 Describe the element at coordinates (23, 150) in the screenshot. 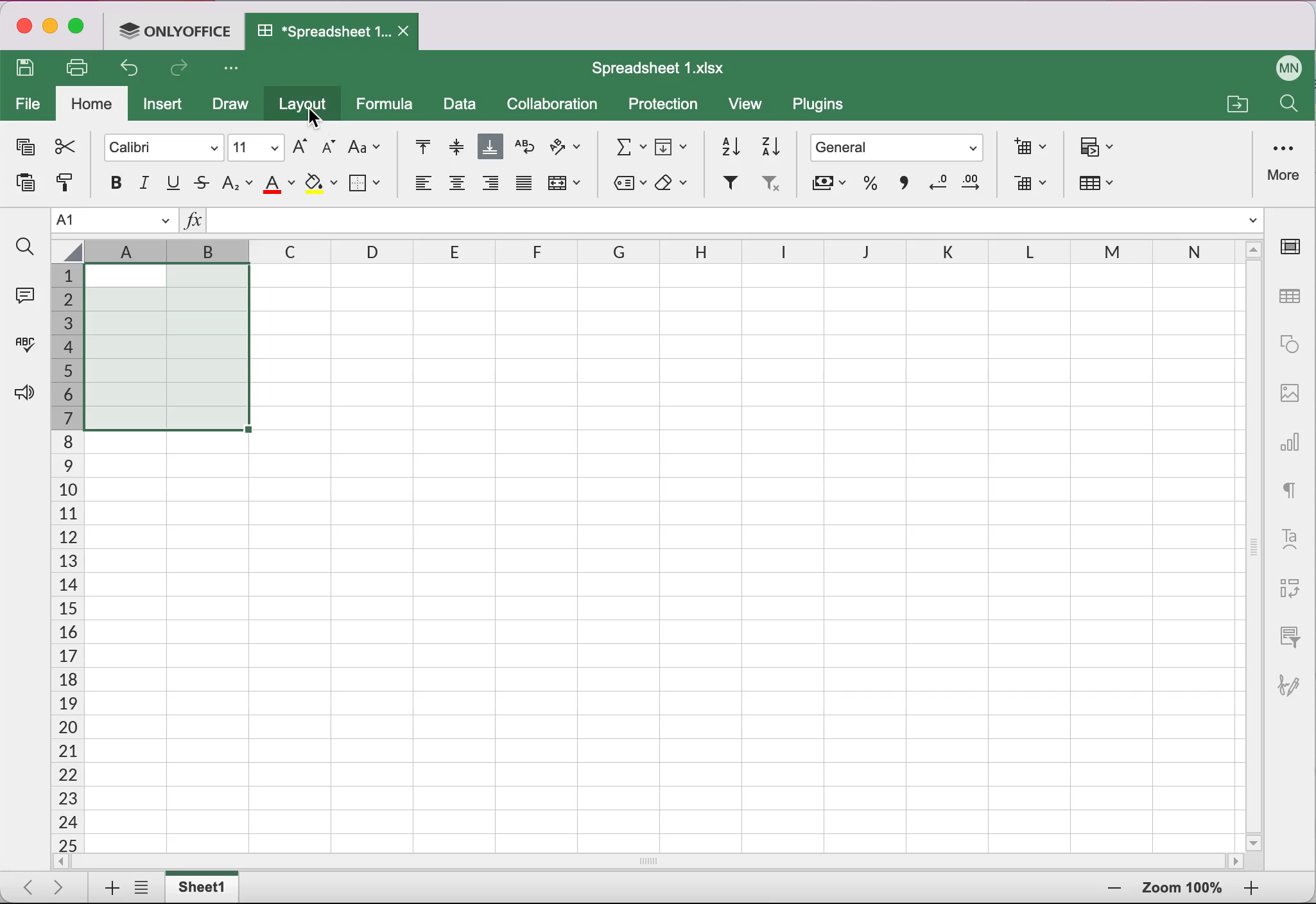

I see `copy` at that location.